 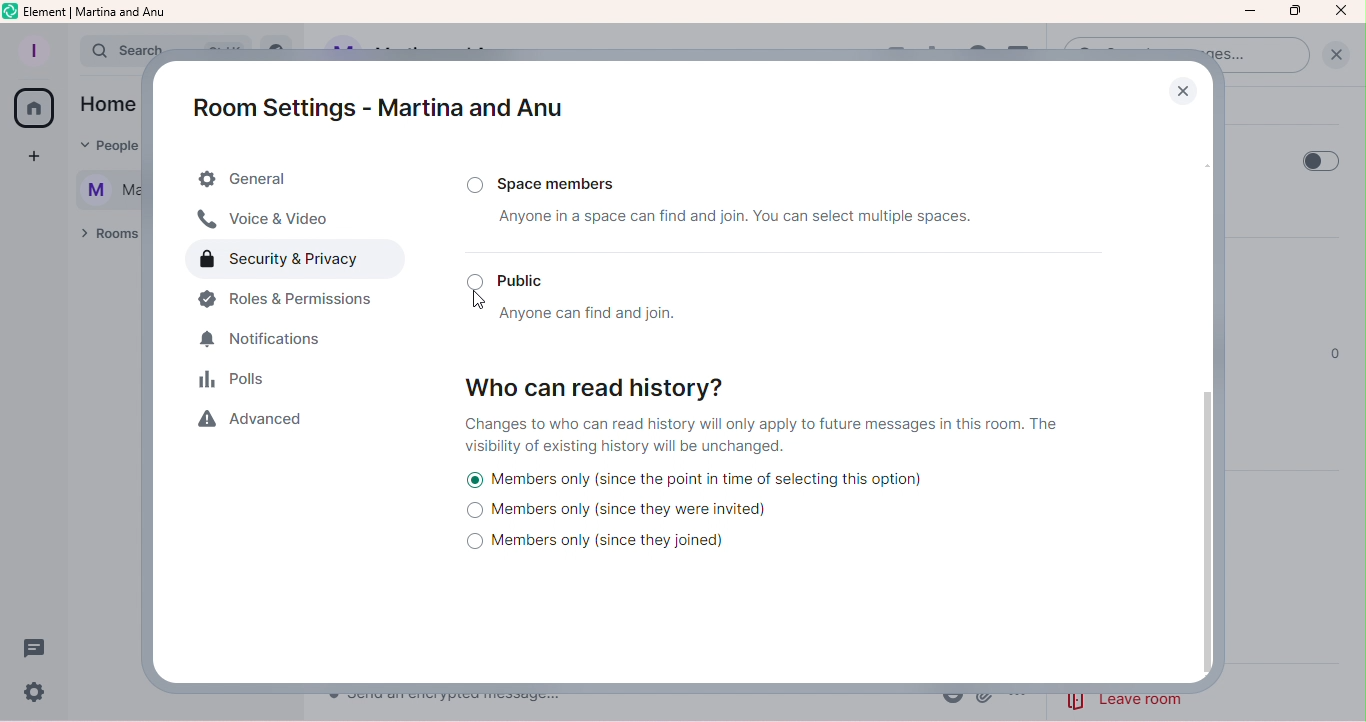 What do you see at coordinates (696, 479) in the screenshot?
I see `Members only (since the point in time of selecting this option)` at bounding box center [696, 479].